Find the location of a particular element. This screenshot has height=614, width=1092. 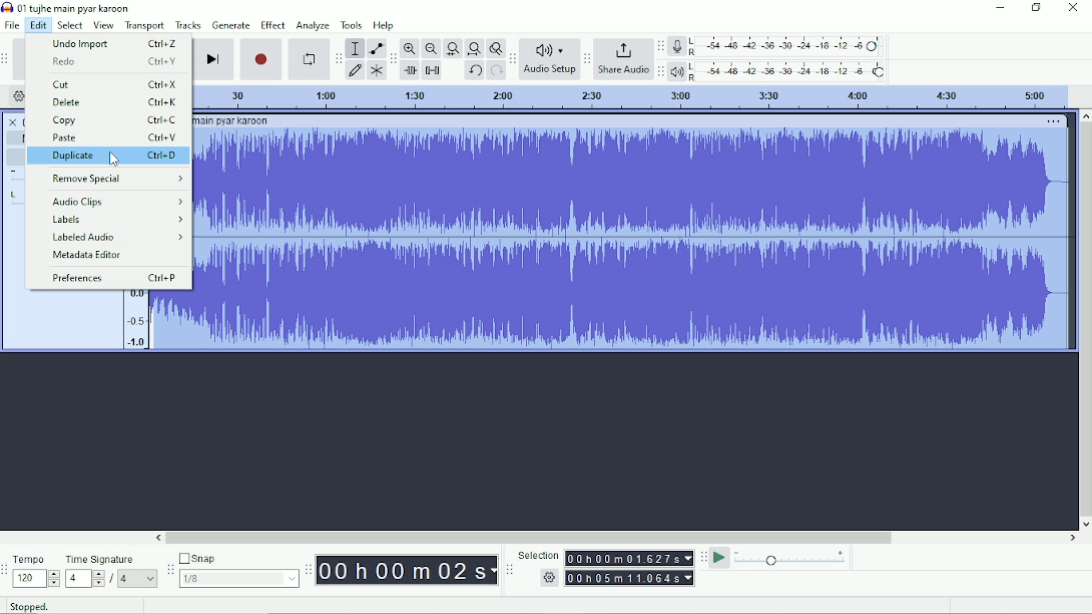

Labeled Audio is located at coordinates (116, 236).